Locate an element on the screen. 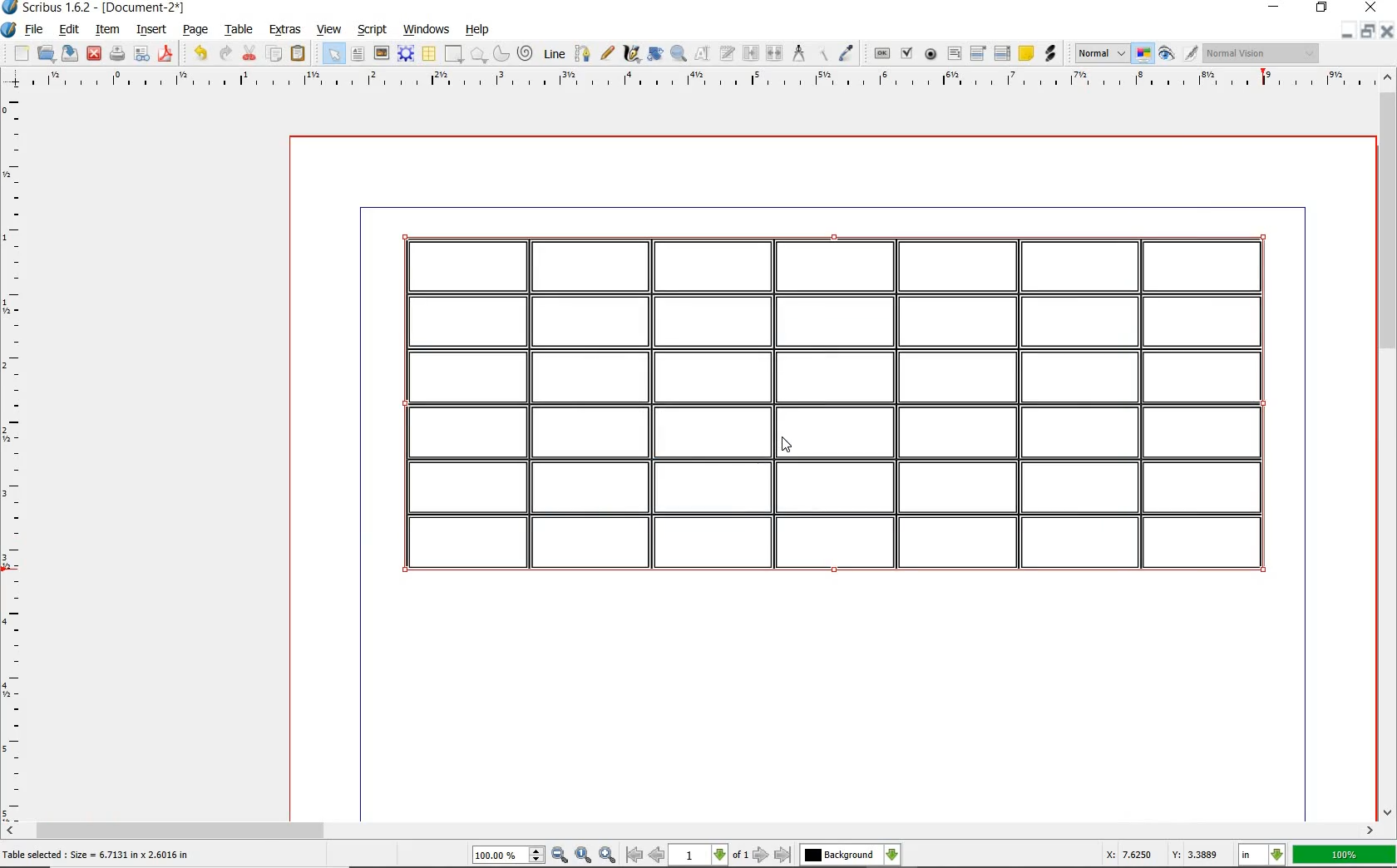 Image resolution: width=1397 pixels, height=868 pixels. save is located at coordinates (69, 55).